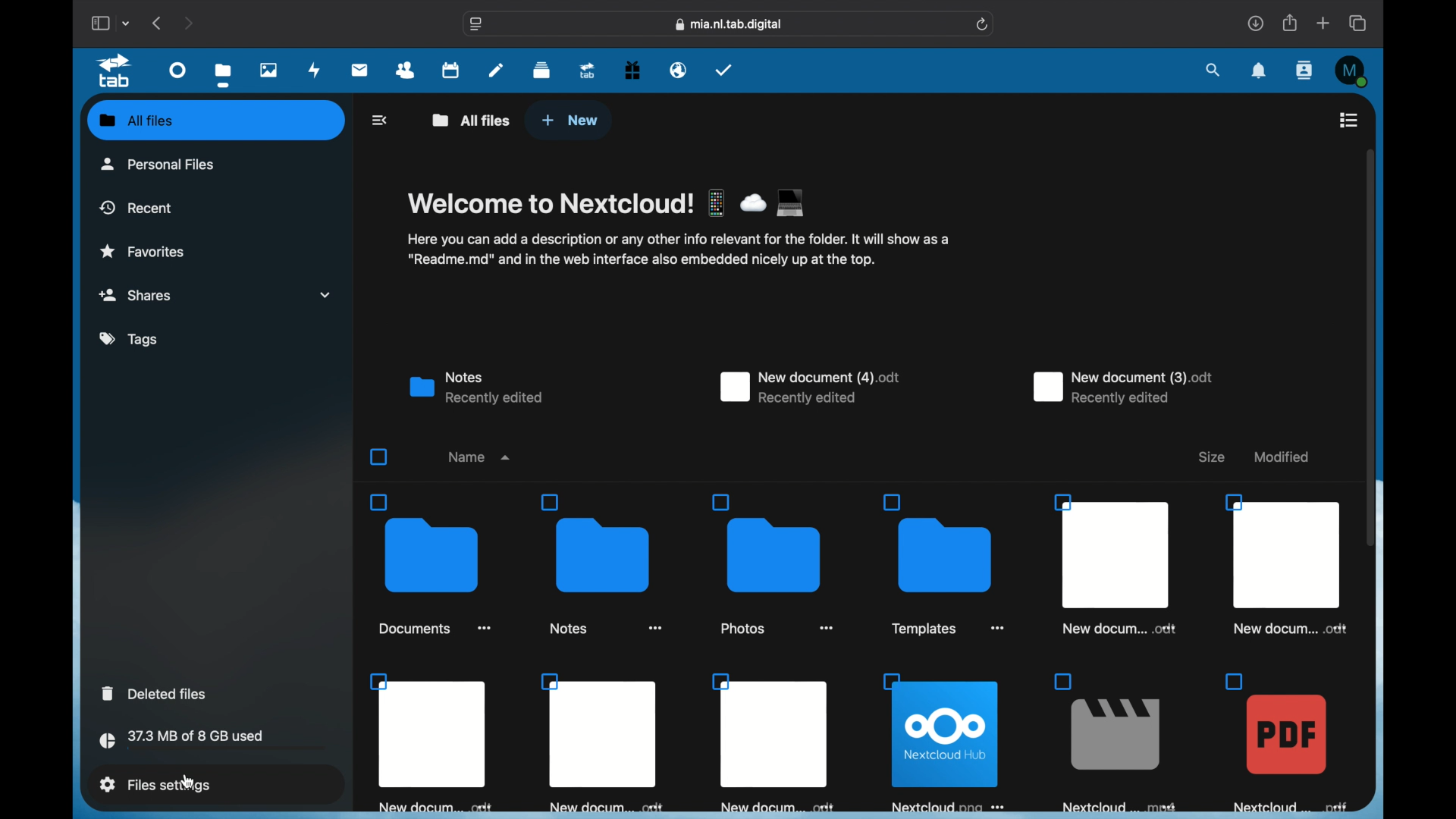  I want to click on file, so click(432, 743).